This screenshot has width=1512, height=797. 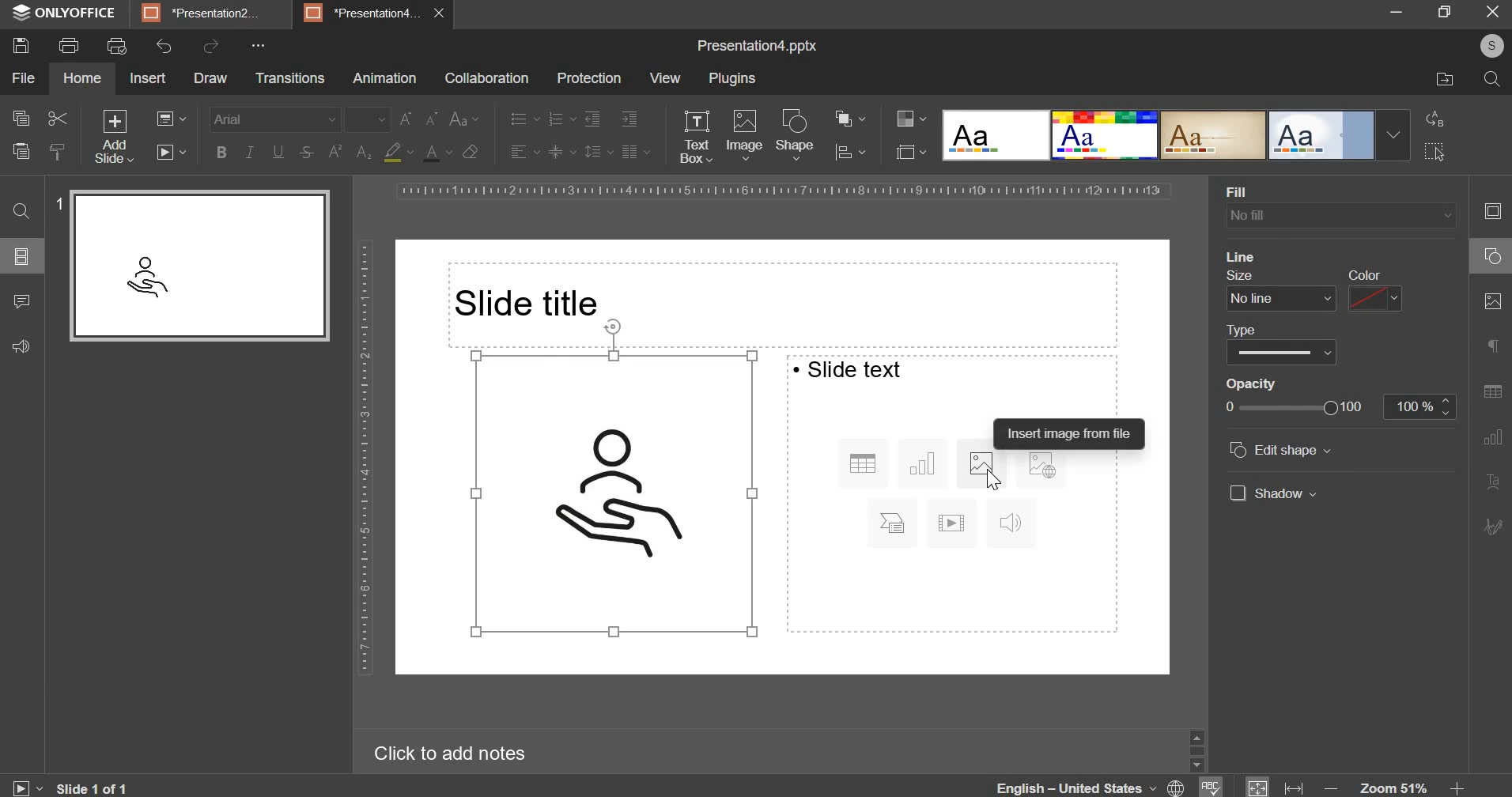 I want to click on minimize, so click(x=1397, y=13).